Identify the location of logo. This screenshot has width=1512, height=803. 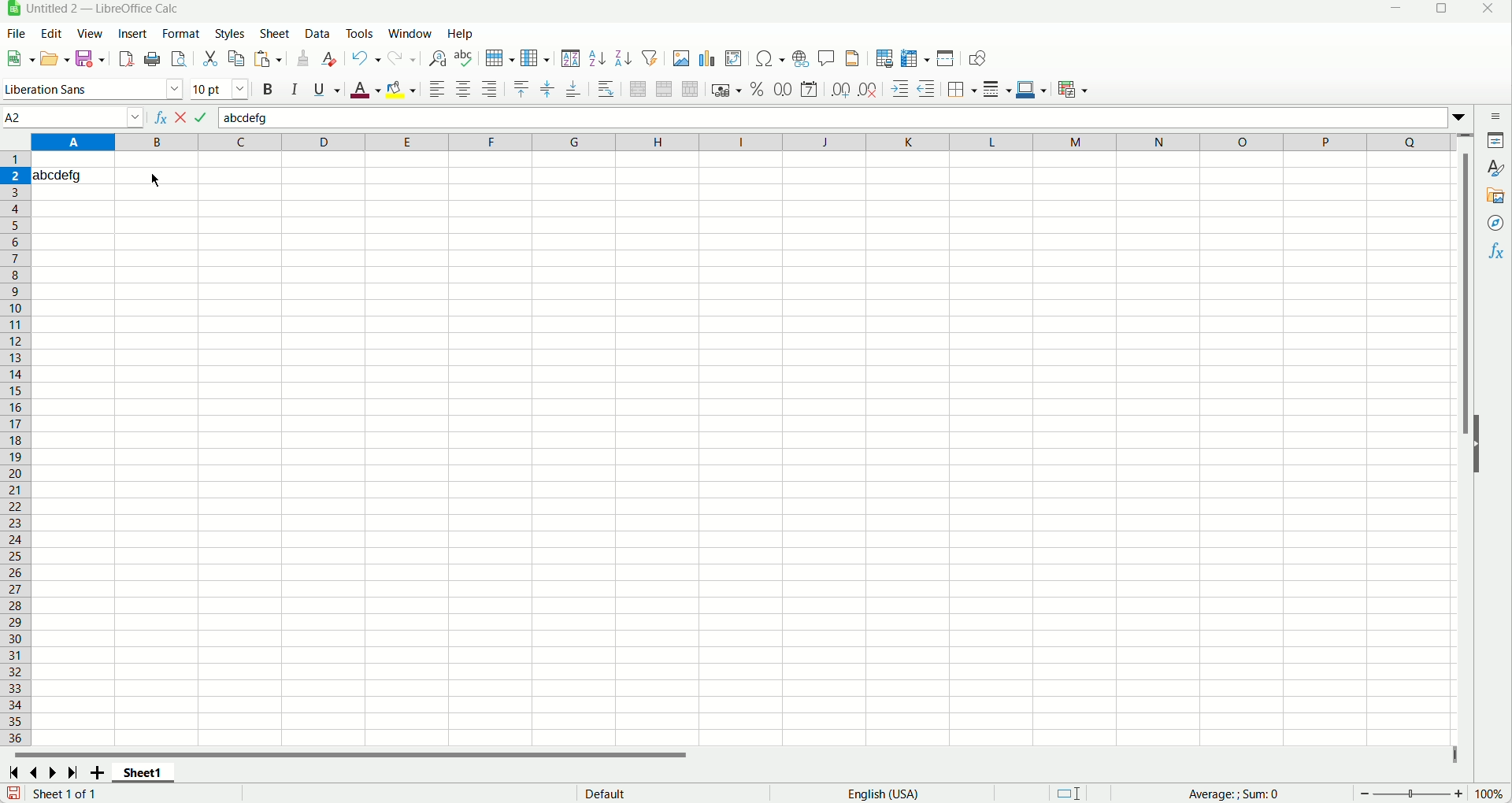
(10, 10).